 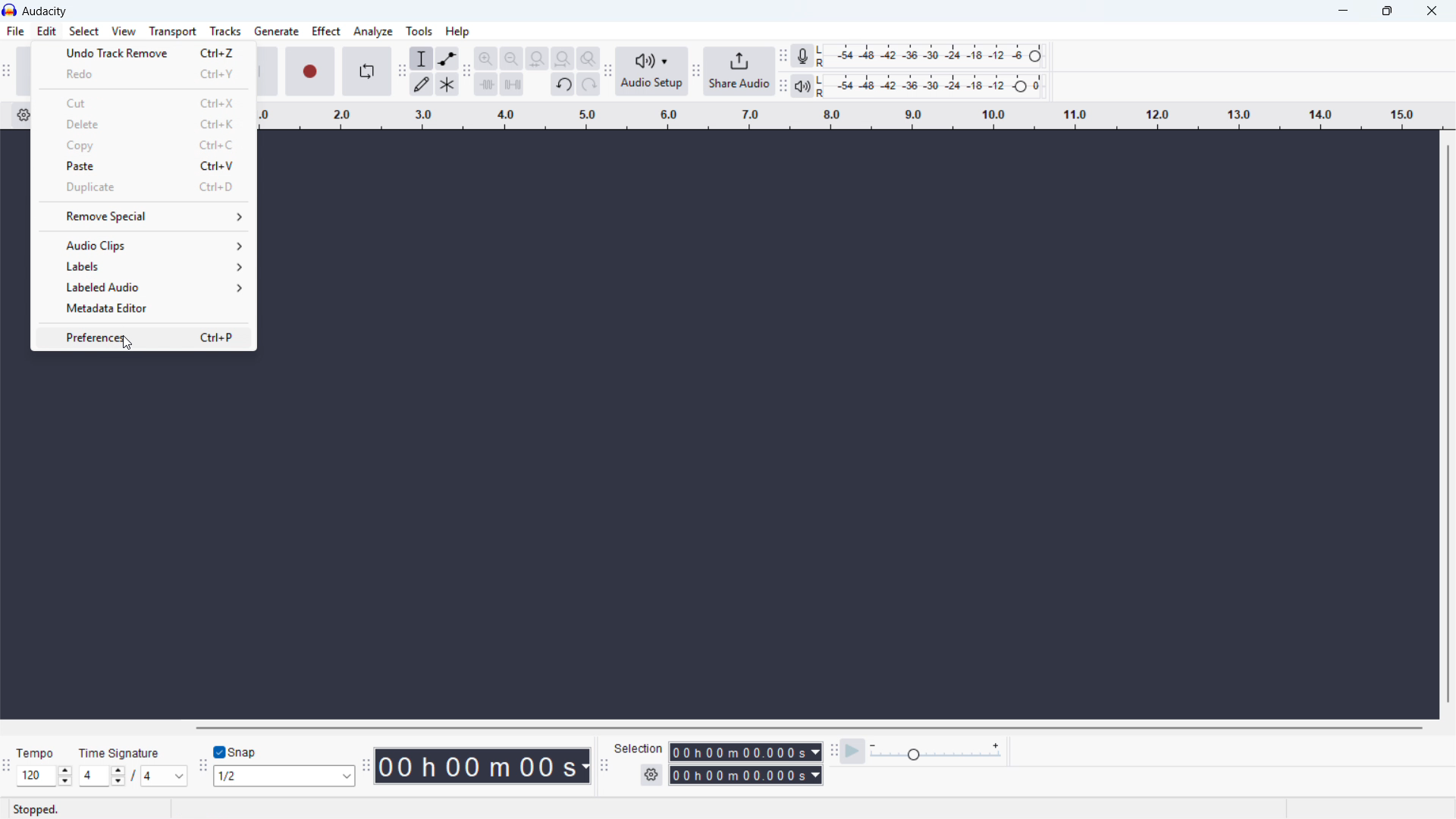 I want to click on fit selection to width, so click(x=537, y=58).